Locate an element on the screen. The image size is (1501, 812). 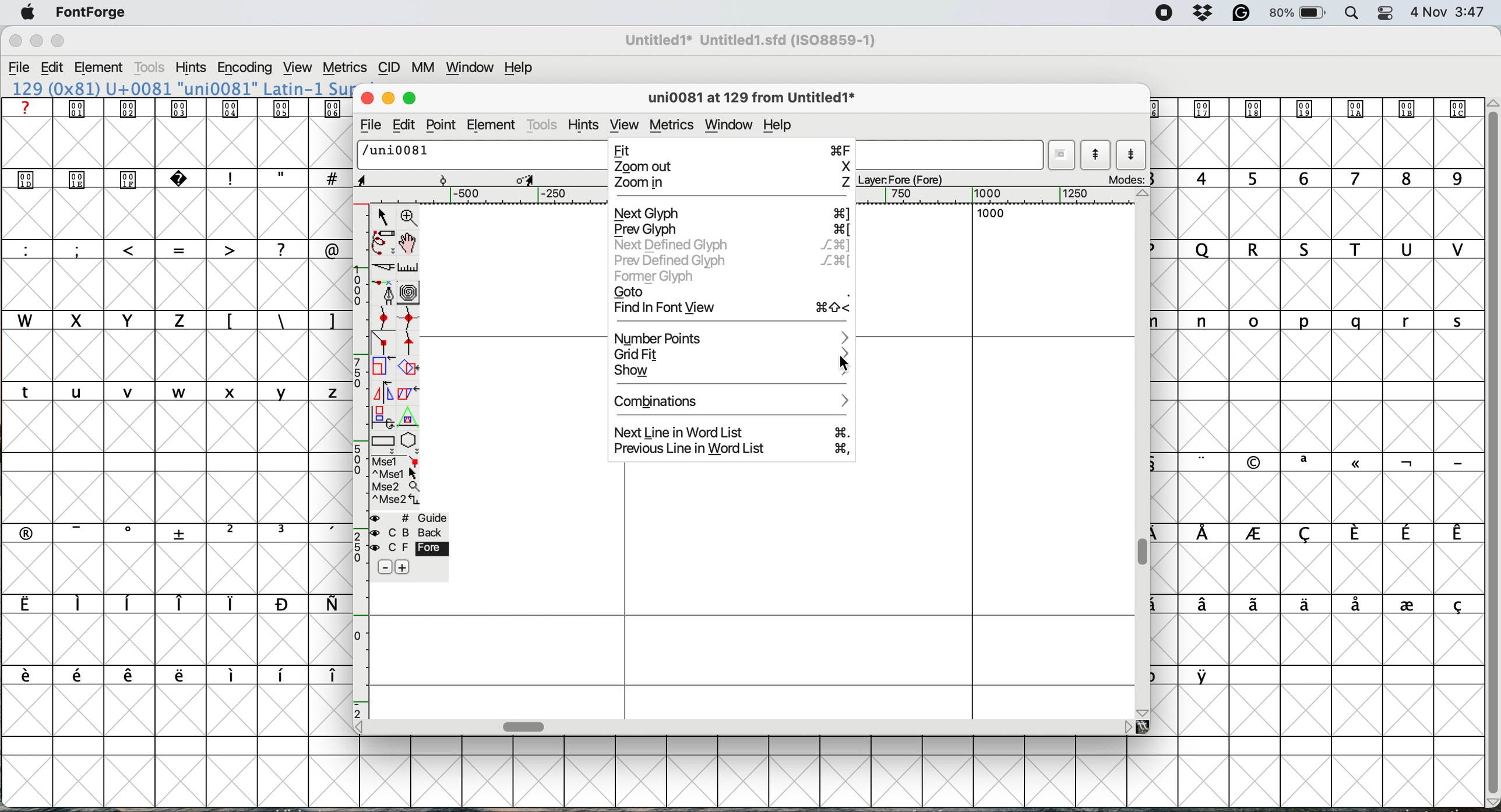
# Guide is located at coordinates (411, 518).